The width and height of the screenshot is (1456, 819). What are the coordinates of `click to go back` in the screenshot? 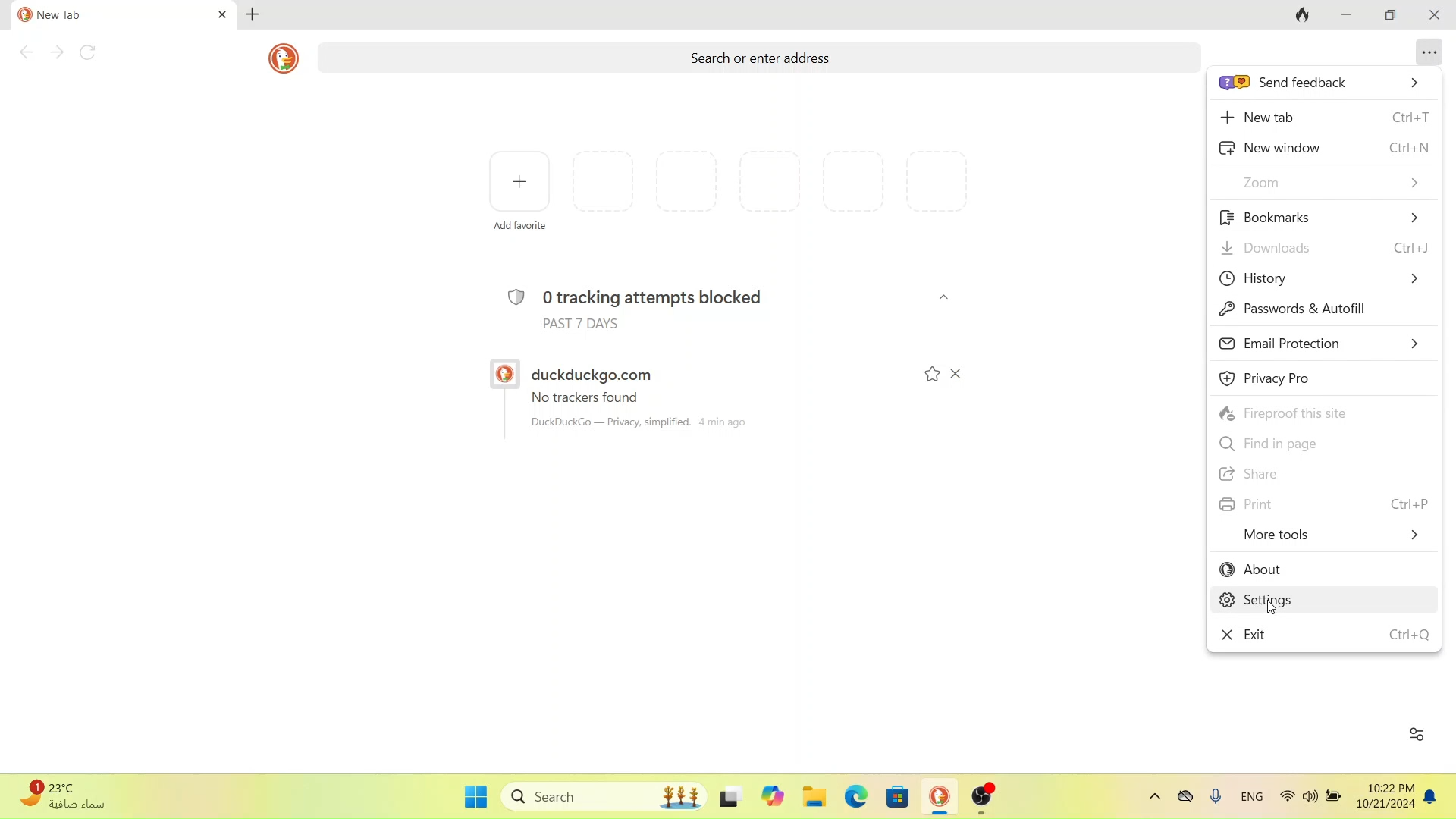 It's located at (26, 54).